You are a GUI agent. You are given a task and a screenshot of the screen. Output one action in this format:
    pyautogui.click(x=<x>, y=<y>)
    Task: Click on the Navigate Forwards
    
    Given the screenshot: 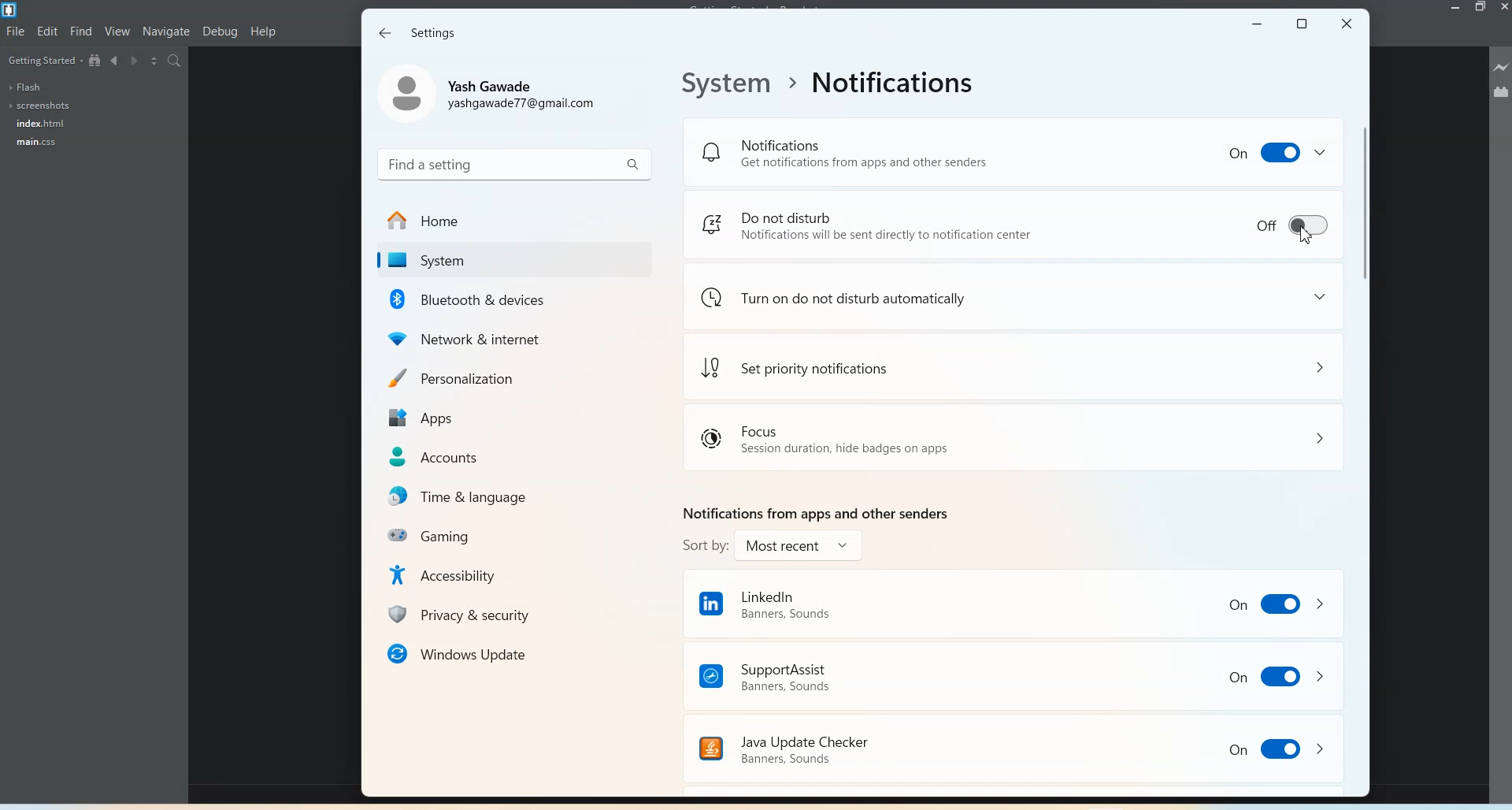 What is the action you would take?
    pyautogui.click(x=136, y=61)
    